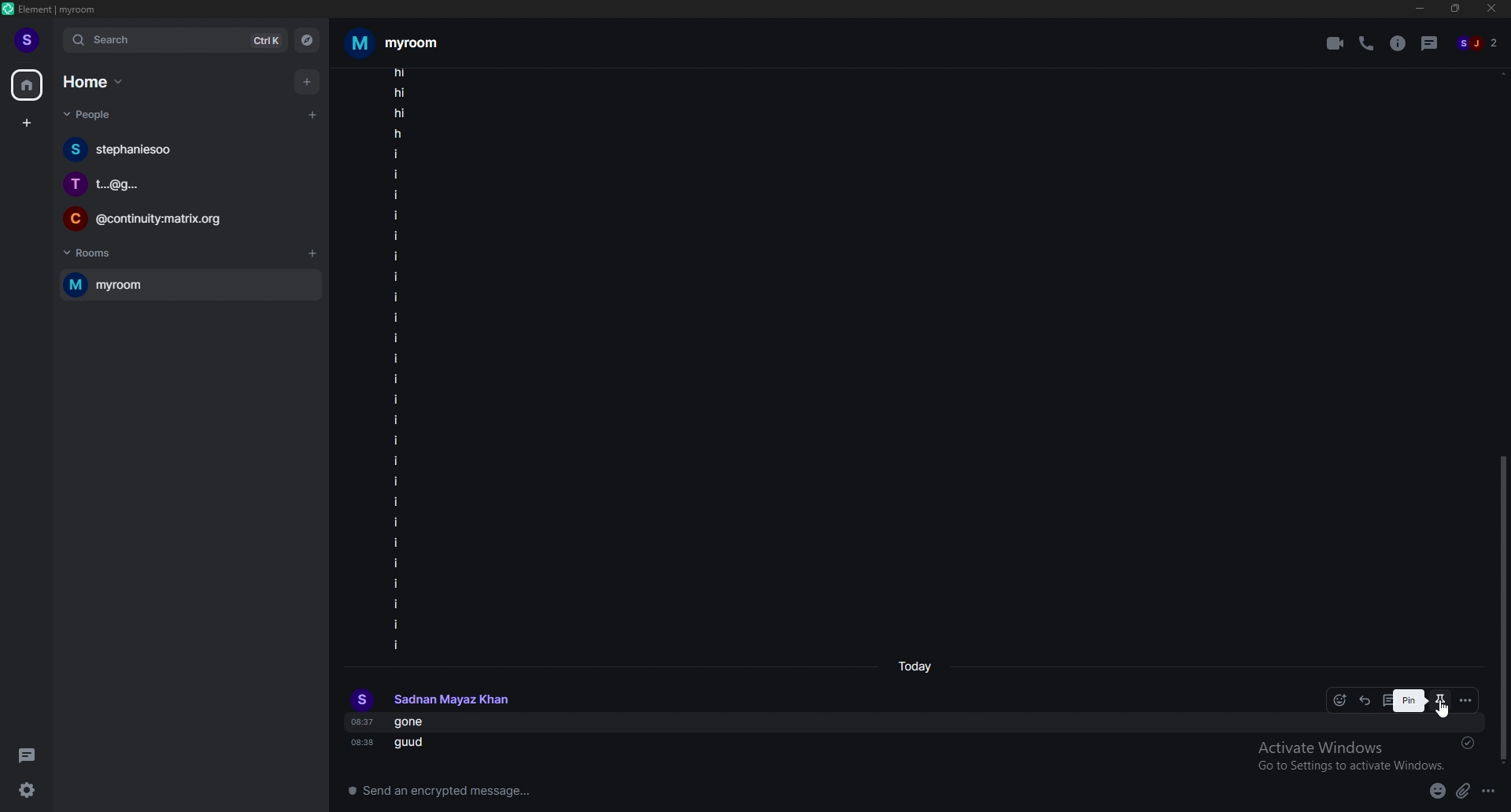  Describe the element at coordinates (360, 744) in the screenshot. I see `time` at that location.